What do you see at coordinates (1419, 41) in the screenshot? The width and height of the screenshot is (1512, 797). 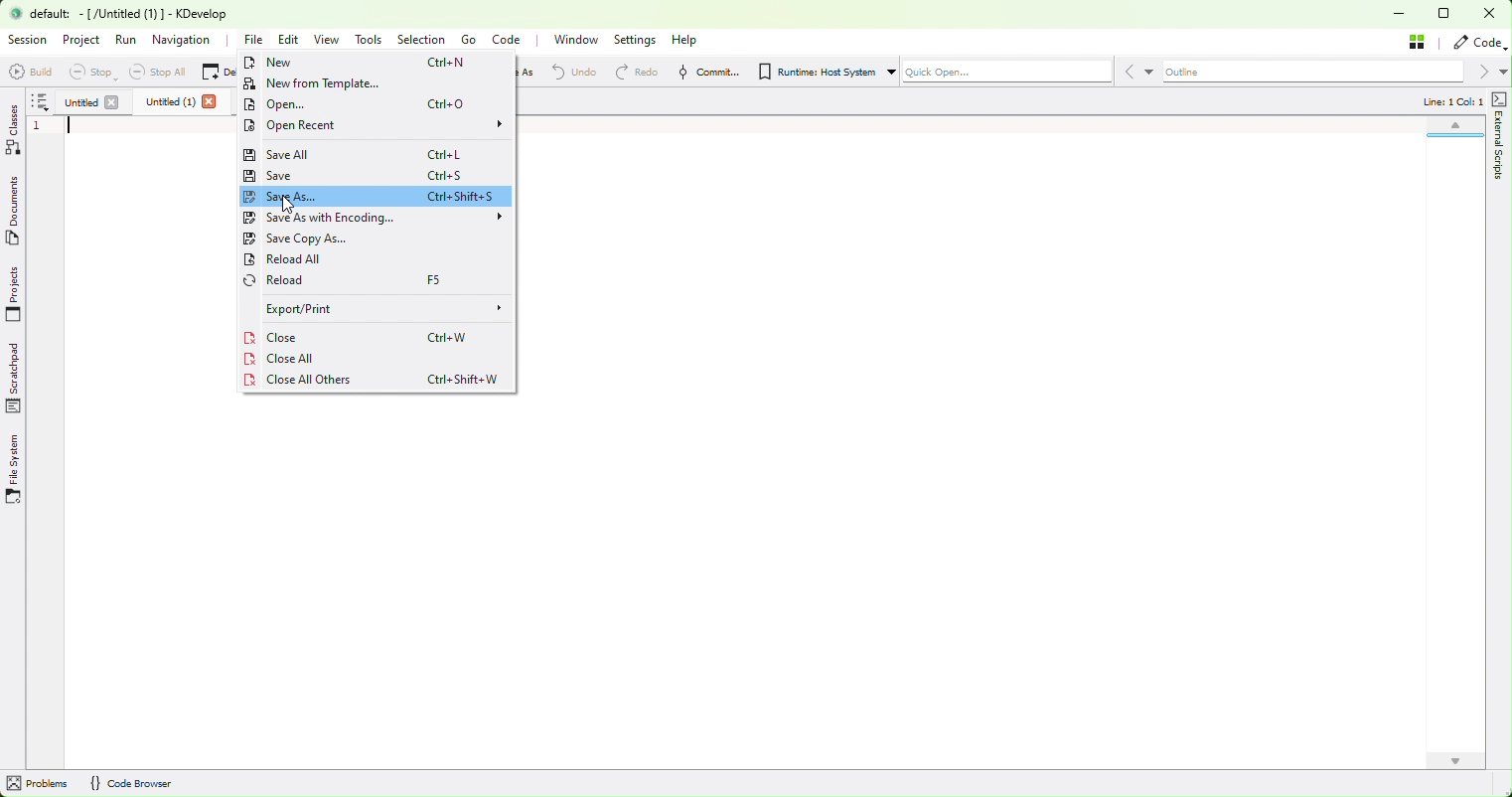 I see `Stash` at bounding box center [1419, 41].